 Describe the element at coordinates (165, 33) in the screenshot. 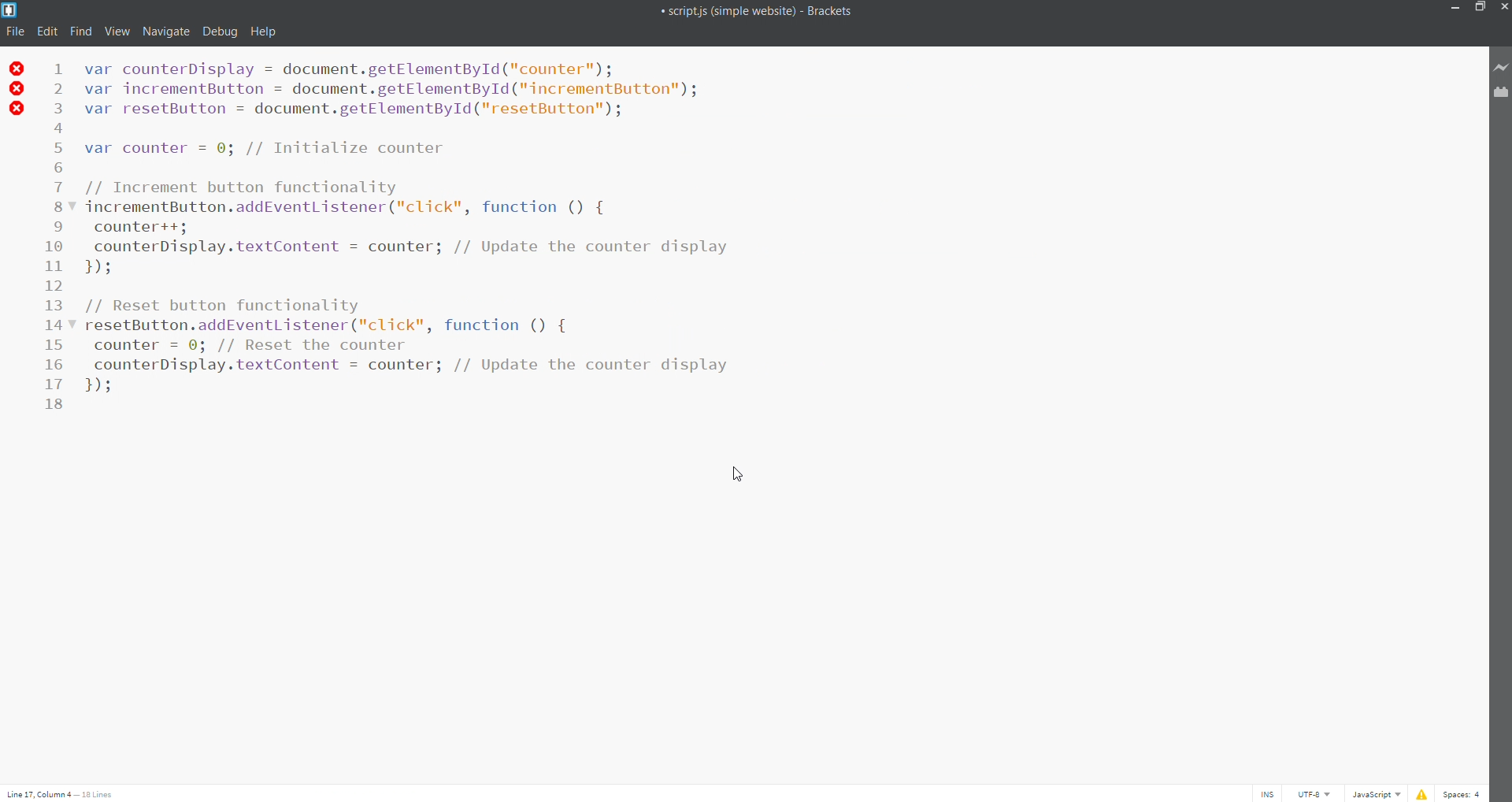

I see `navigate` at that location.